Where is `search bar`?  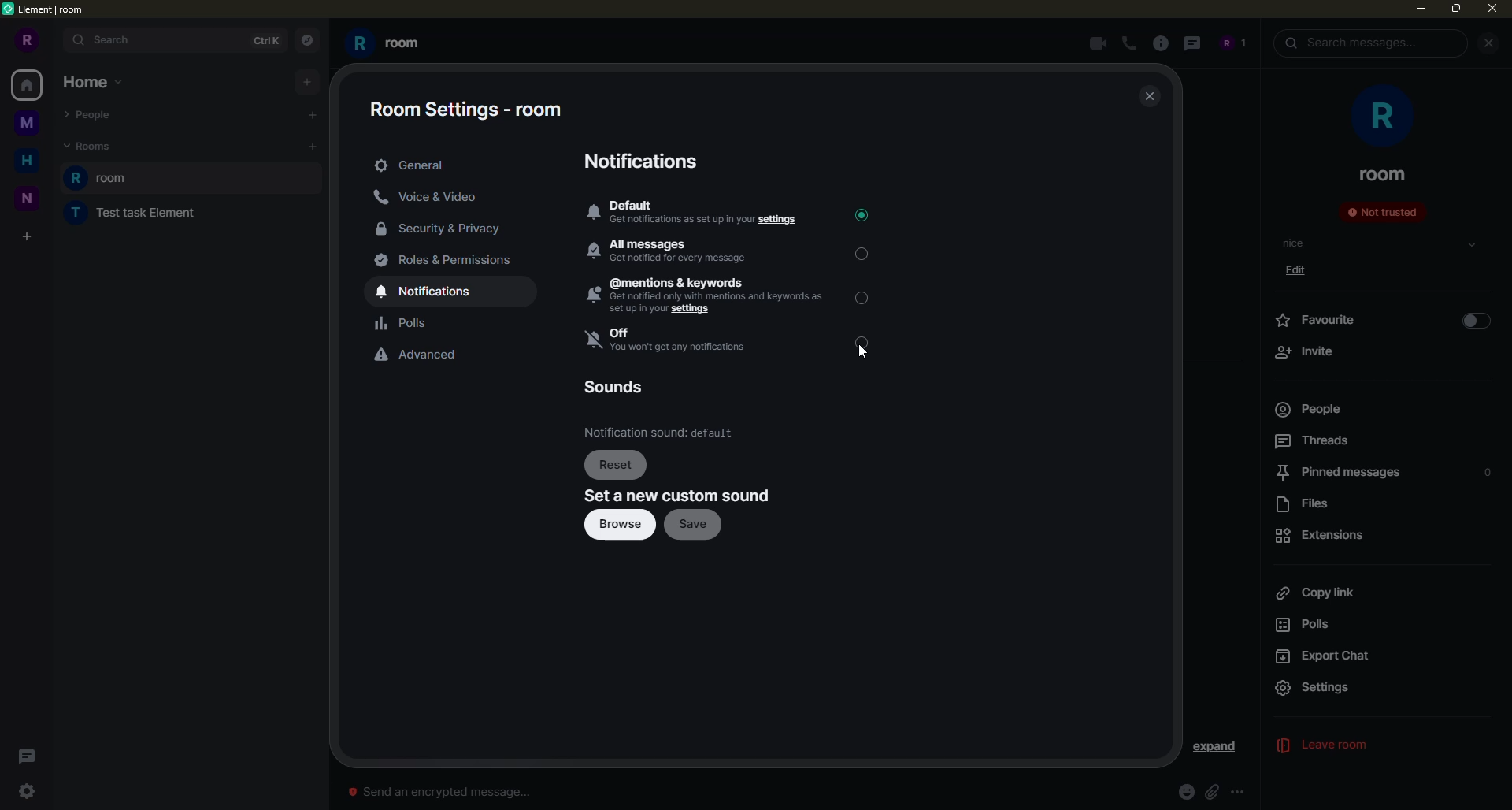
search bar is located at coordinates (174, 40).